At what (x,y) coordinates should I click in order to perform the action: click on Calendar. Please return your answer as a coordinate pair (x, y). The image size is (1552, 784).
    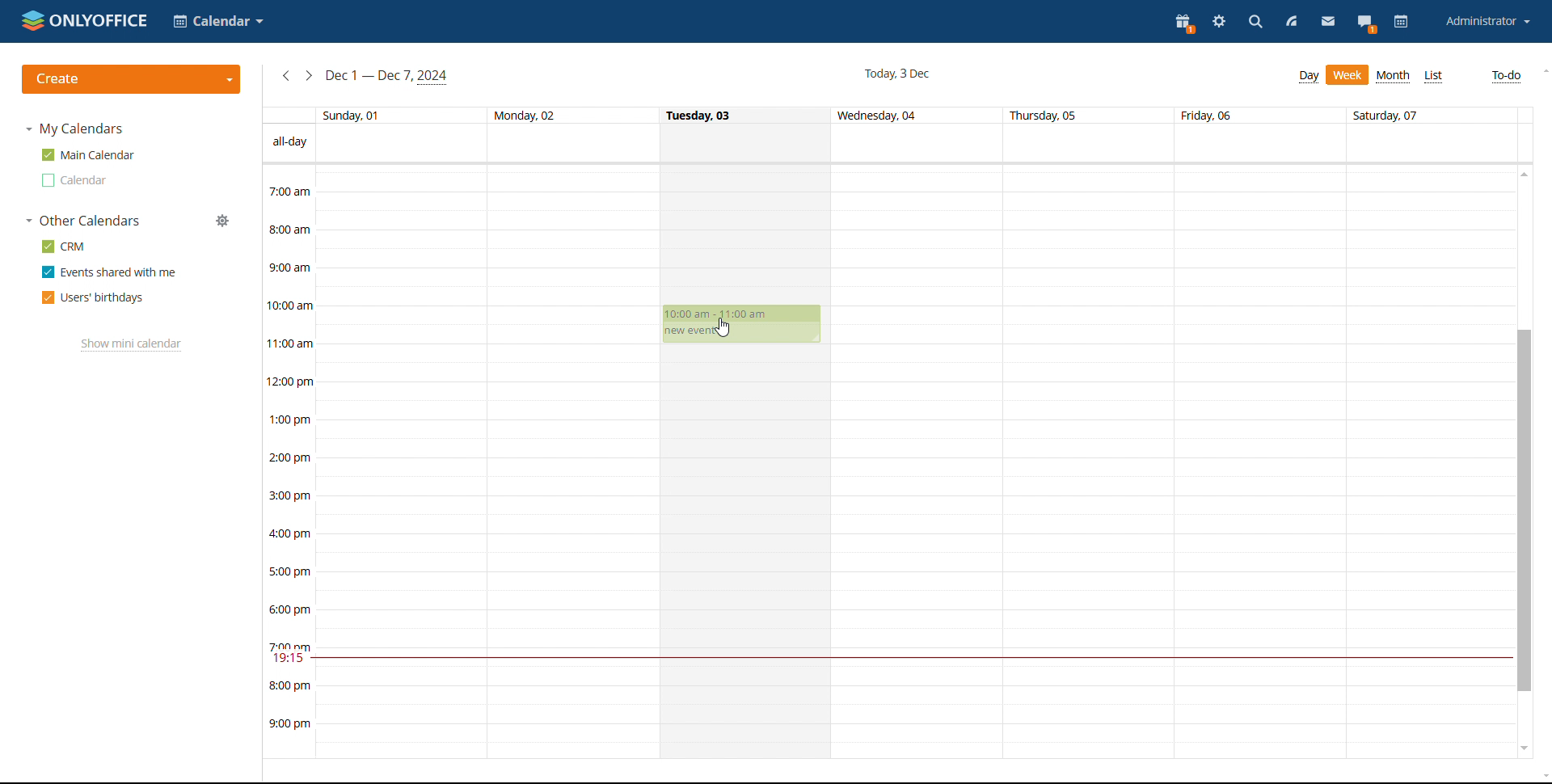
    Looking at the image, I should click on (72, 181).